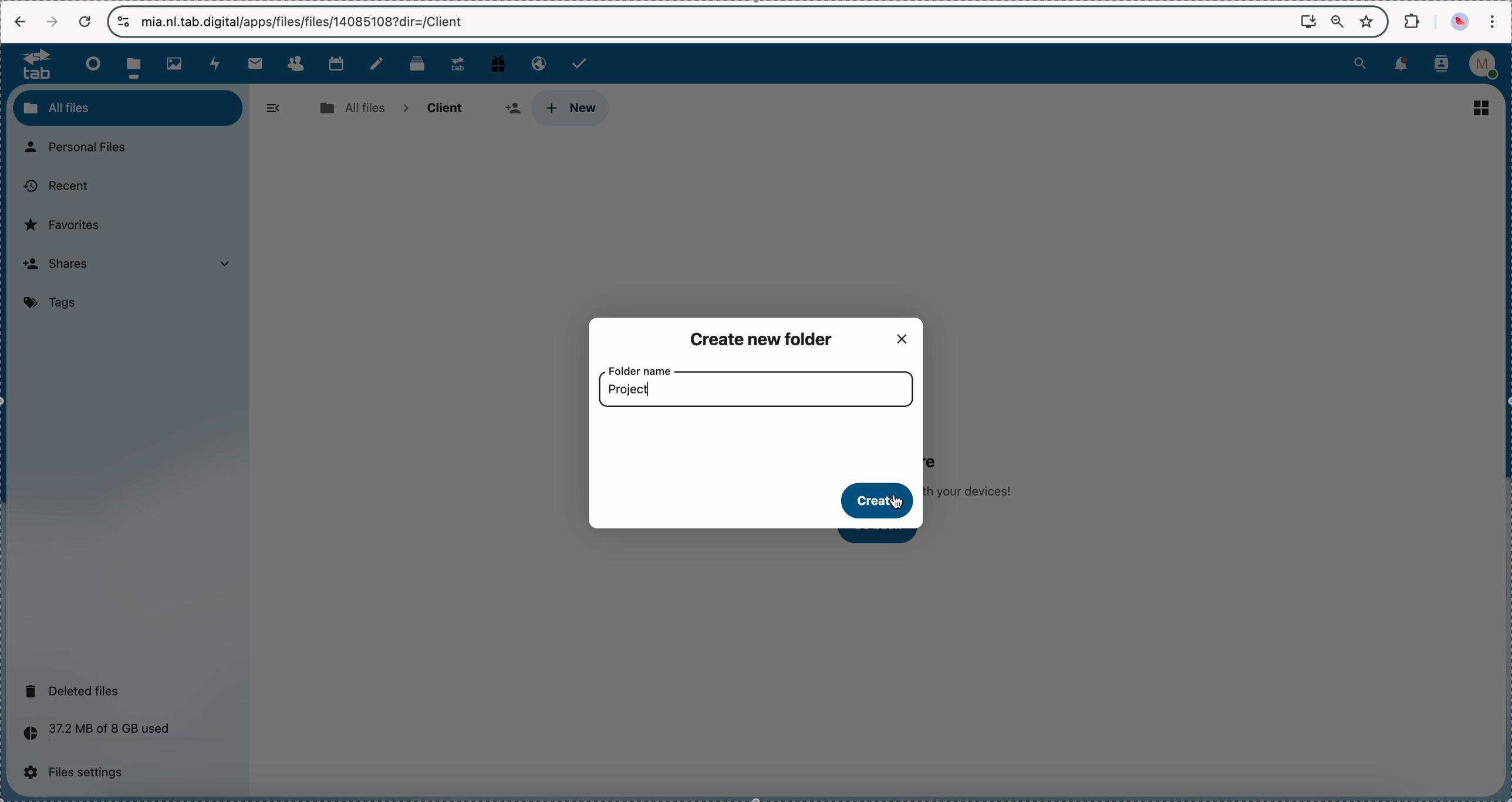 The width and height of the screenshot is (1512, 802). I want to click on cursor, so click(899, 504).